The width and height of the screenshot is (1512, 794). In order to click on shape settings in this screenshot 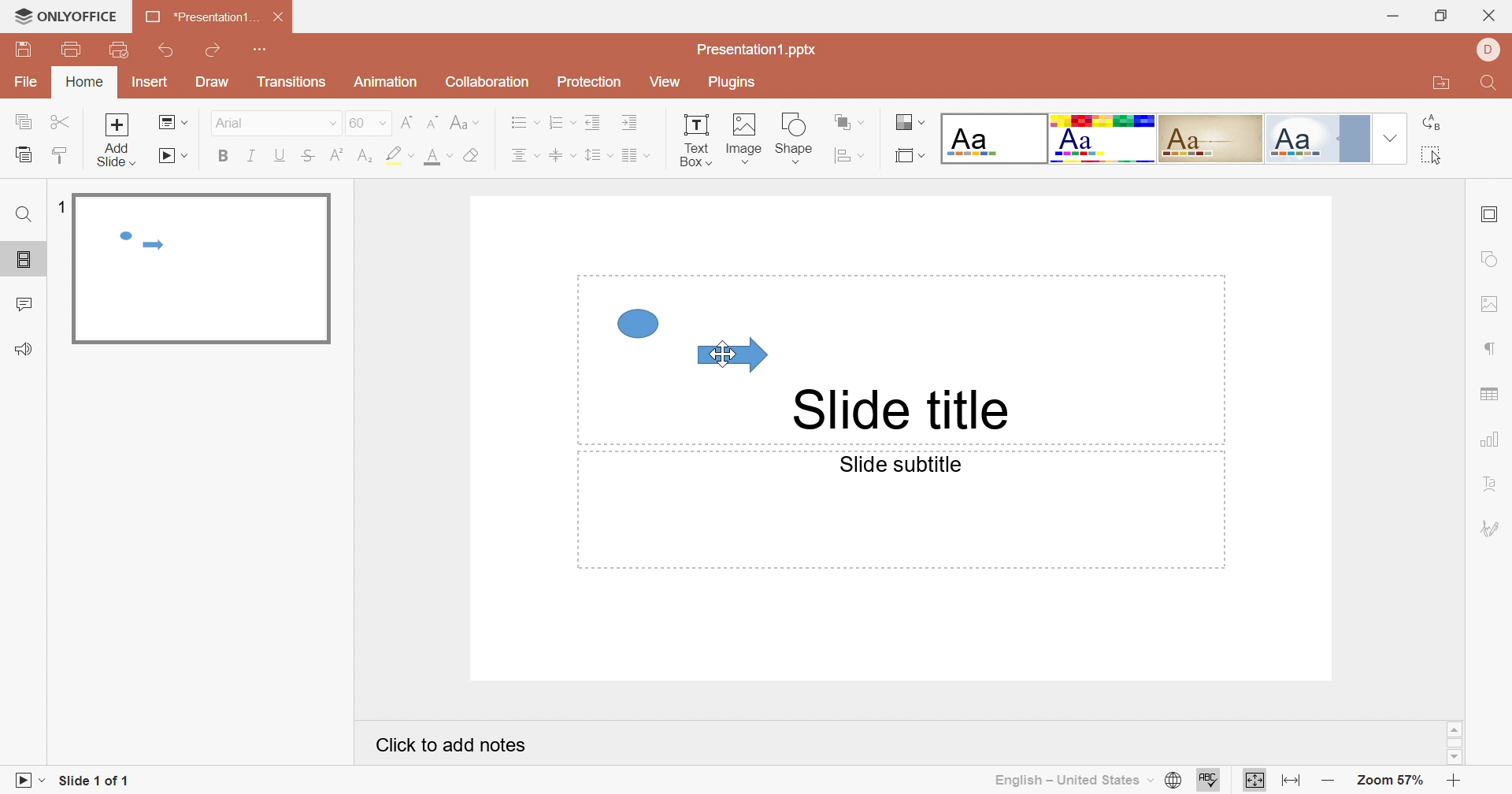, I will do `click(1488, 262)`.